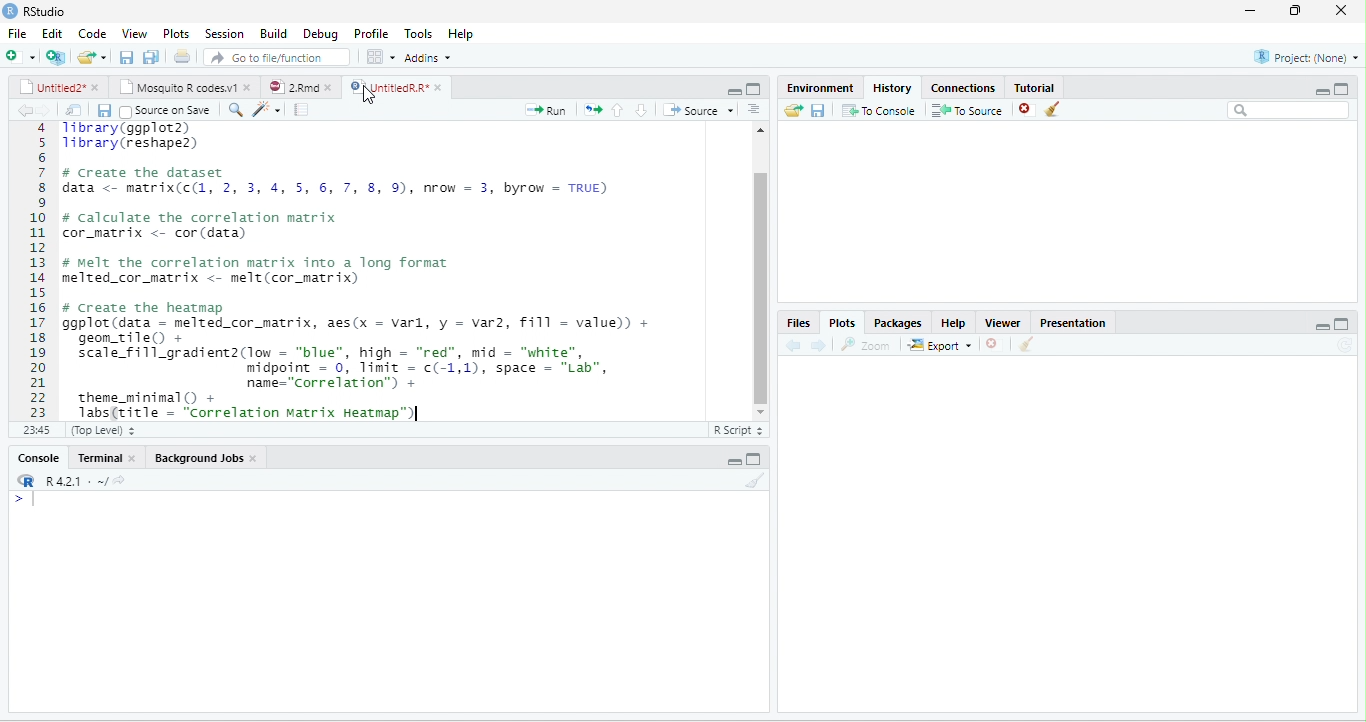  I want to click on 5 Tibrary(reshapez)

6

7 # Create the dataset

§ data <- matrix(c(, 2, 3, 4, 5, 6, 7, 8, 9), nrow = 3, byrow = TRUE)
9

0 # calculate the correlation matrix

1 cor_matrix <- cor (data)

2

3 # melt the correlation matrix into a long format

4 melted_cor_matrix <- melt(cor_matrix)

5

6 # Create the heatmap

7 ggplot(data - melted_cor_matrix, aes(x = varl, y = var2, fill = value)) +
8 geom_tileO +

9 scale_fill_gradient2(low = “blue”, high = “red”, mid = "white",

0 midpoint = 0, limit = c(-1,1), space = "Lab",
1 name="Correlation”) +

2 theme_minimal() +

BN 1absBritle = “Correlation Matrix Heatman™M, so click(365, 268).